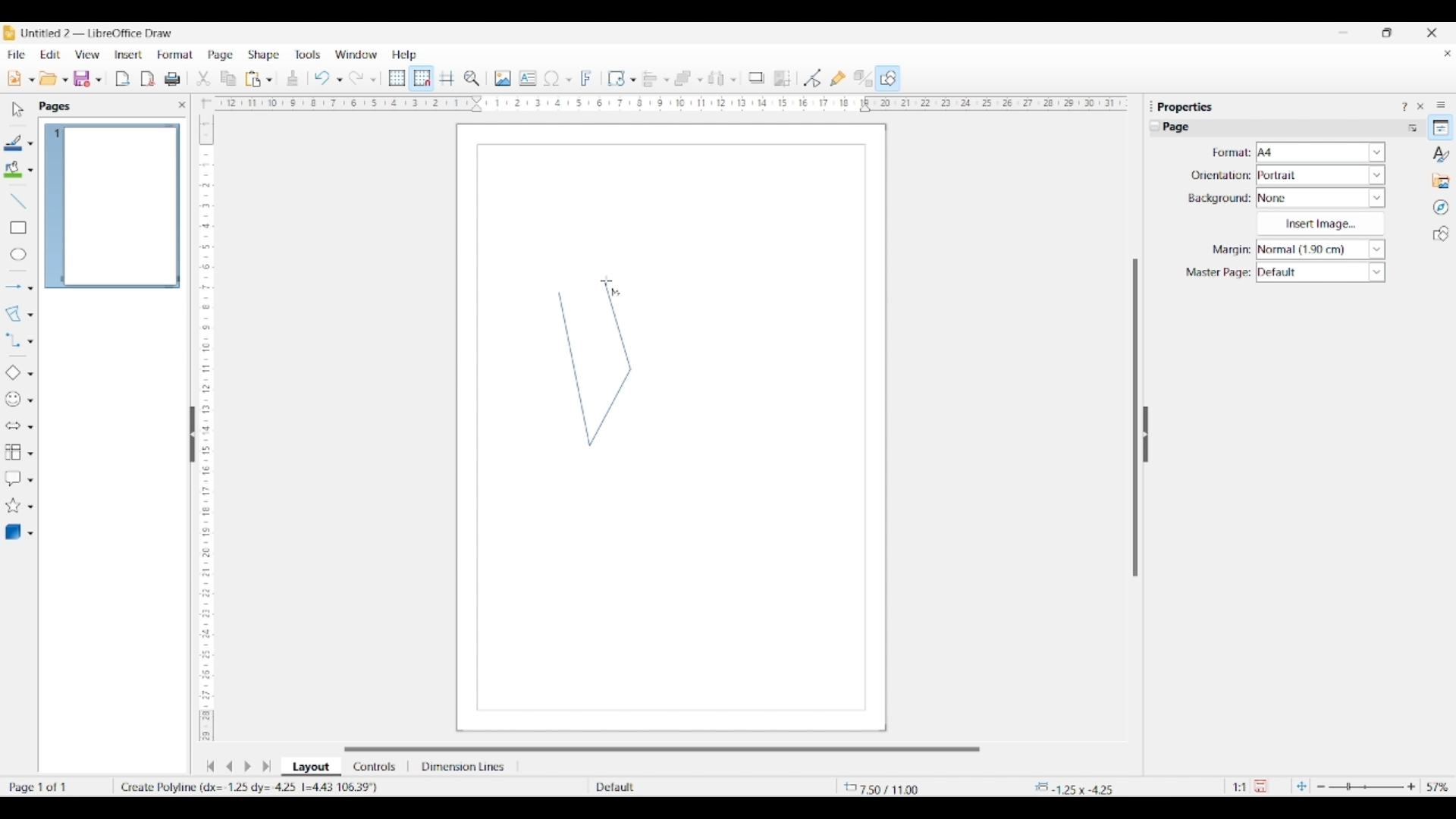 The height and width of the screenshot is (819, 1456). Describe the element at coordinates (56, 786) in the screenshot. I see `Current page w.r.t. total number of pages` at that location.